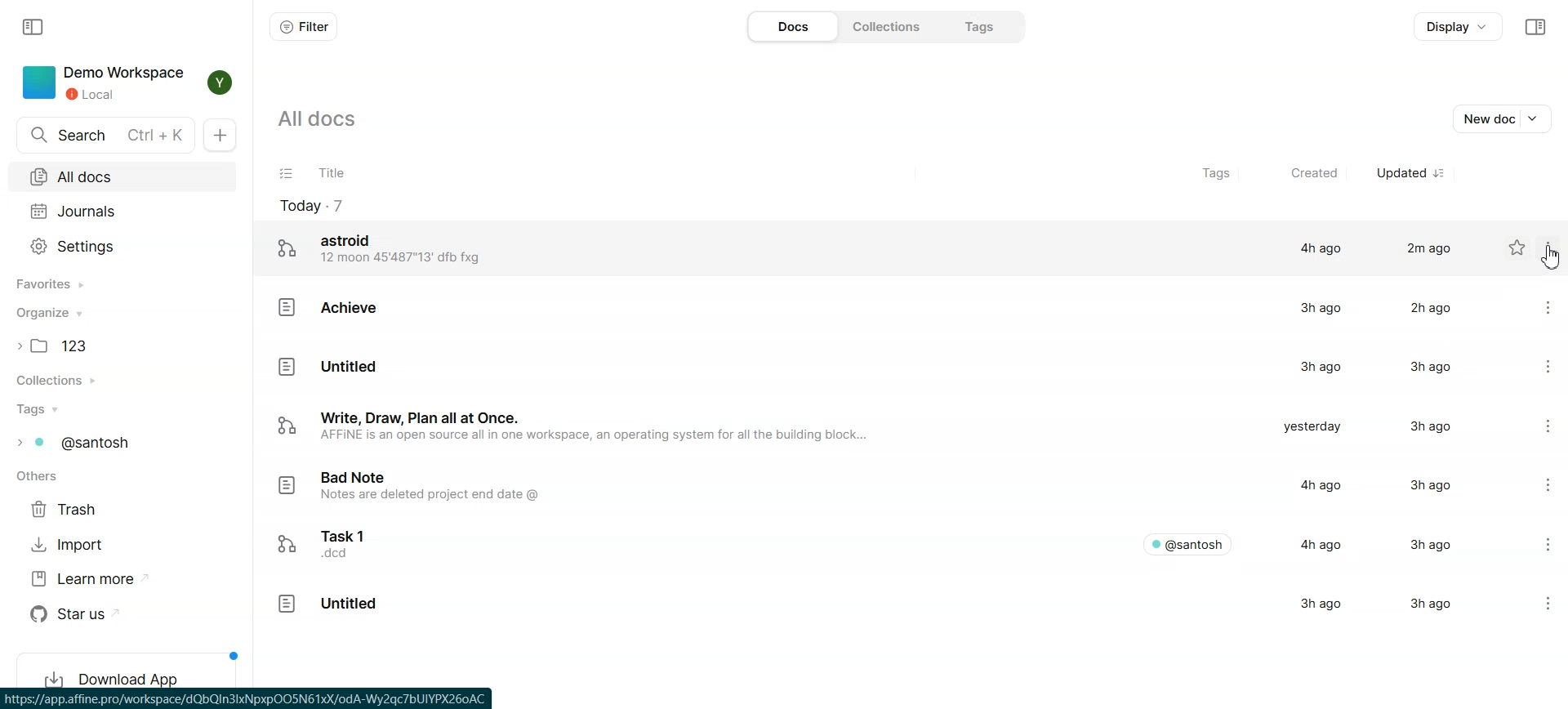  I want to click on Filter, so click(303, 27).